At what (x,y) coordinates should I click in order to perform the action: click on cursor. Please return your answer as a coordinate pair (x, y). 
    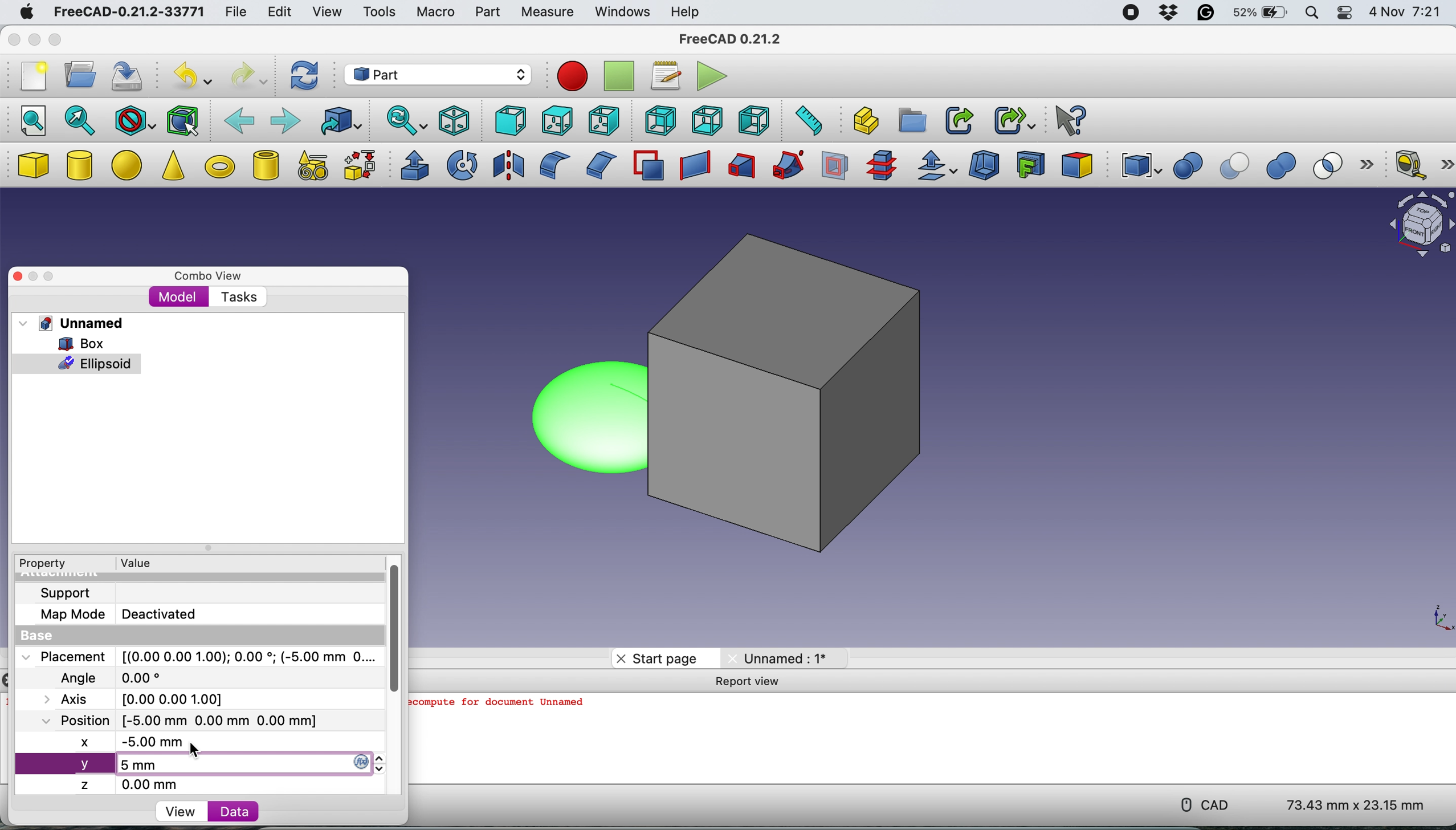
    Looking at the image, I should click on (195, 750).